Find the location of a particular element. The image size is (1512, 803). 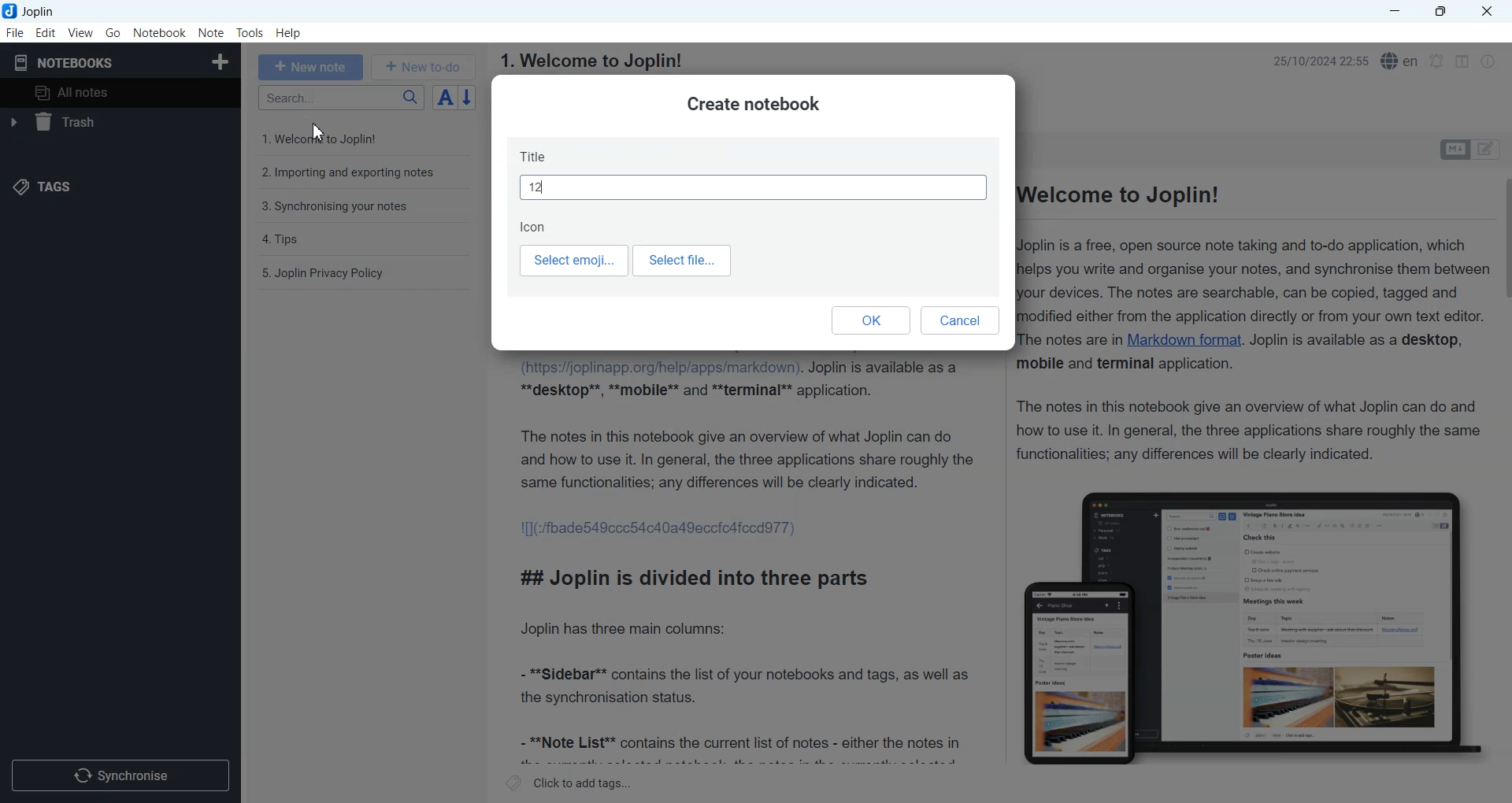

icon is located at coordinates (535, 226).